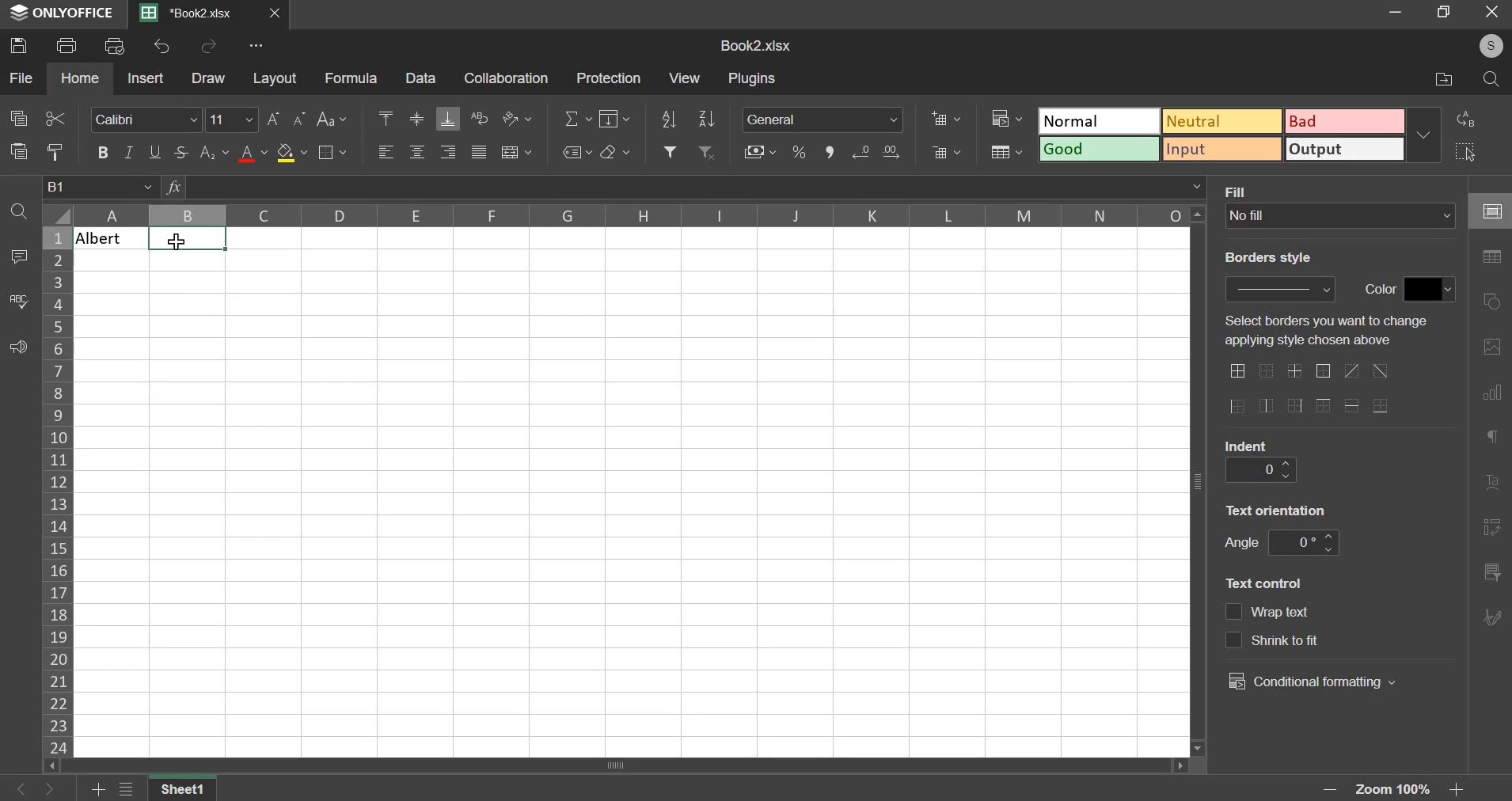 This screenshot has height=801, width=1512. Describe the element at coordinates (450, 119) in the screenshot. I see `align bottom` at that location.